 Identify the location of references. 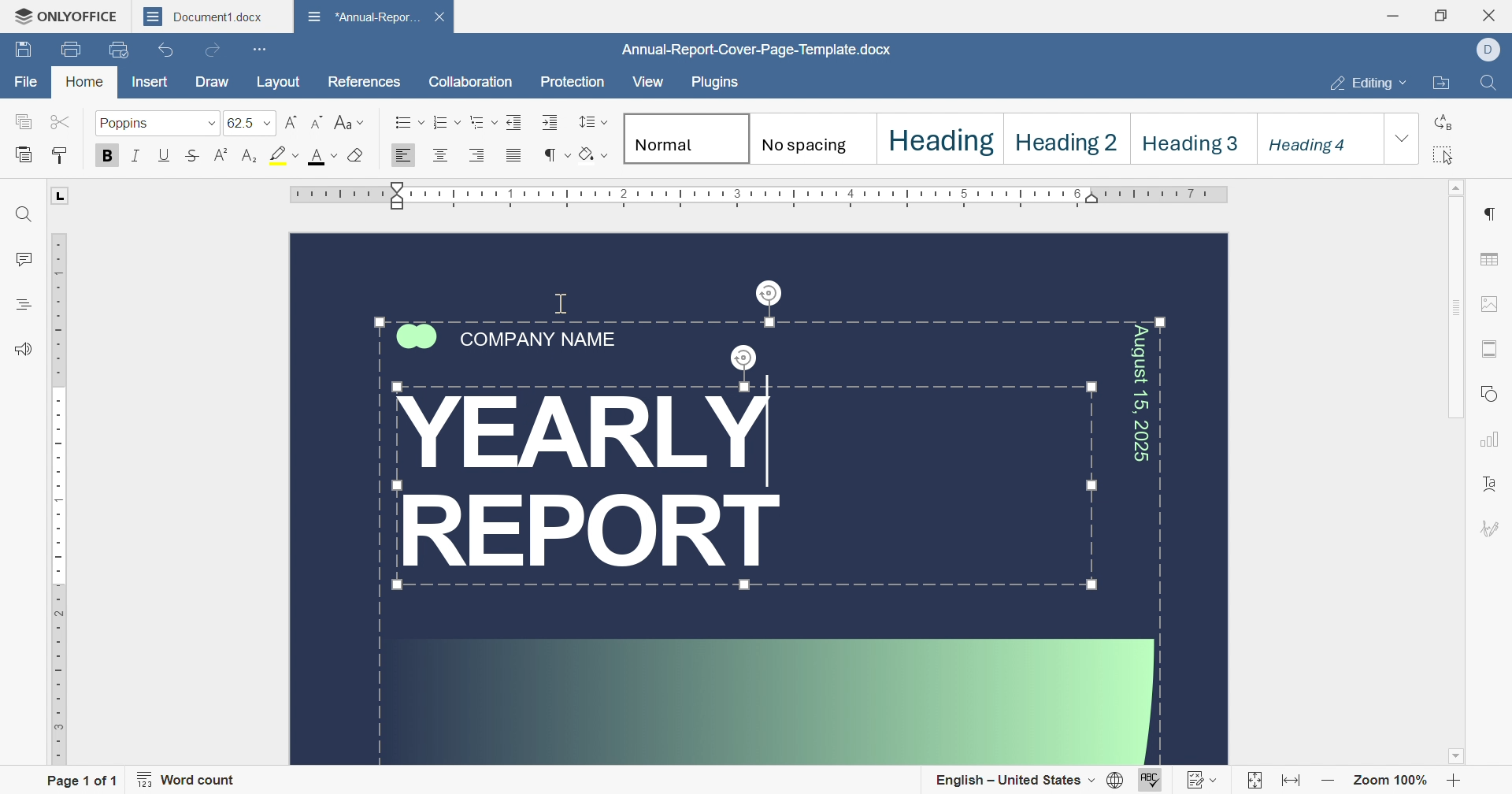
(362, 81).